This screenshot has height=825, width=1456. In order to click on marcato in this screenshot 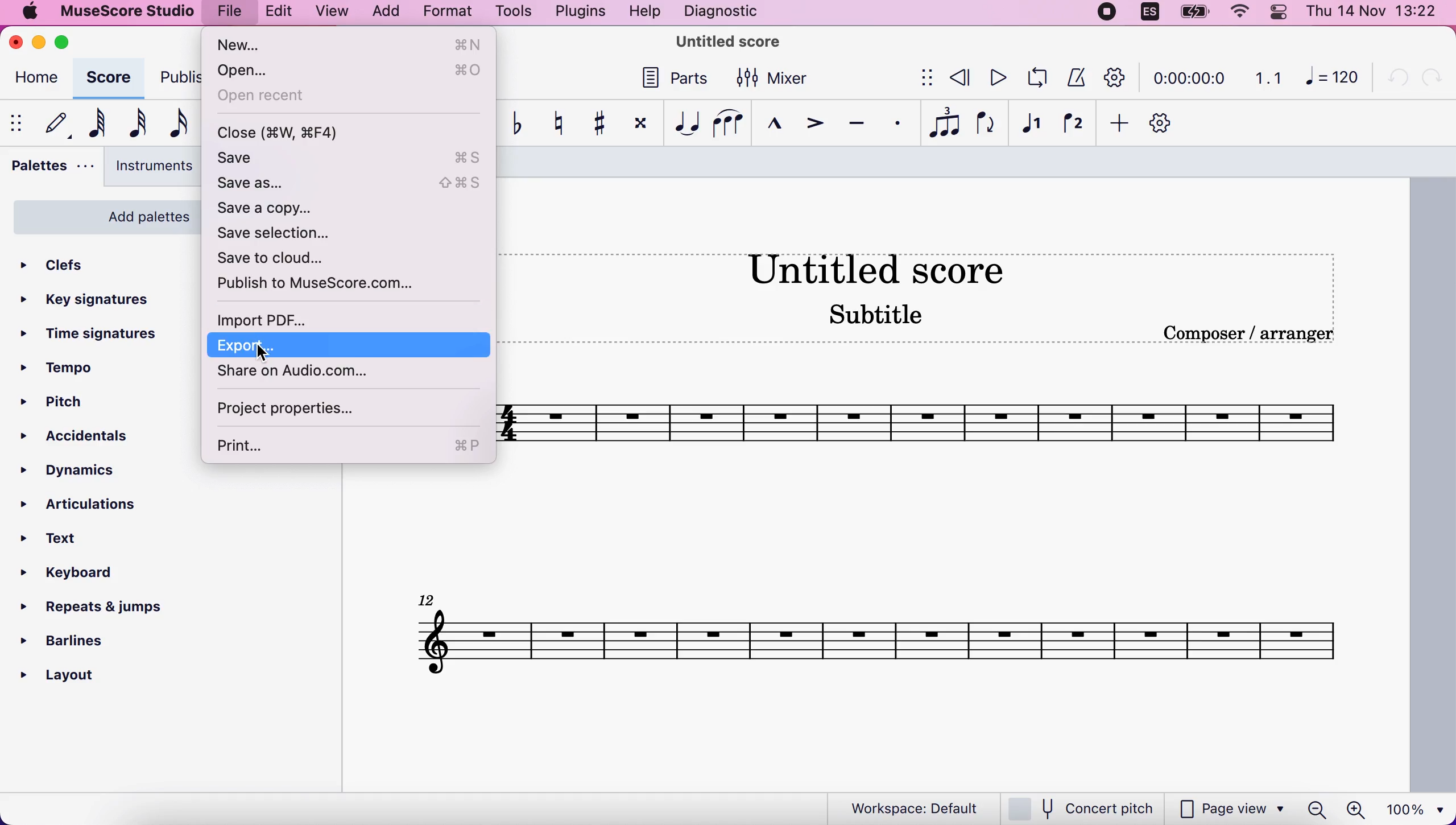, I will do `click(772, 127)`.